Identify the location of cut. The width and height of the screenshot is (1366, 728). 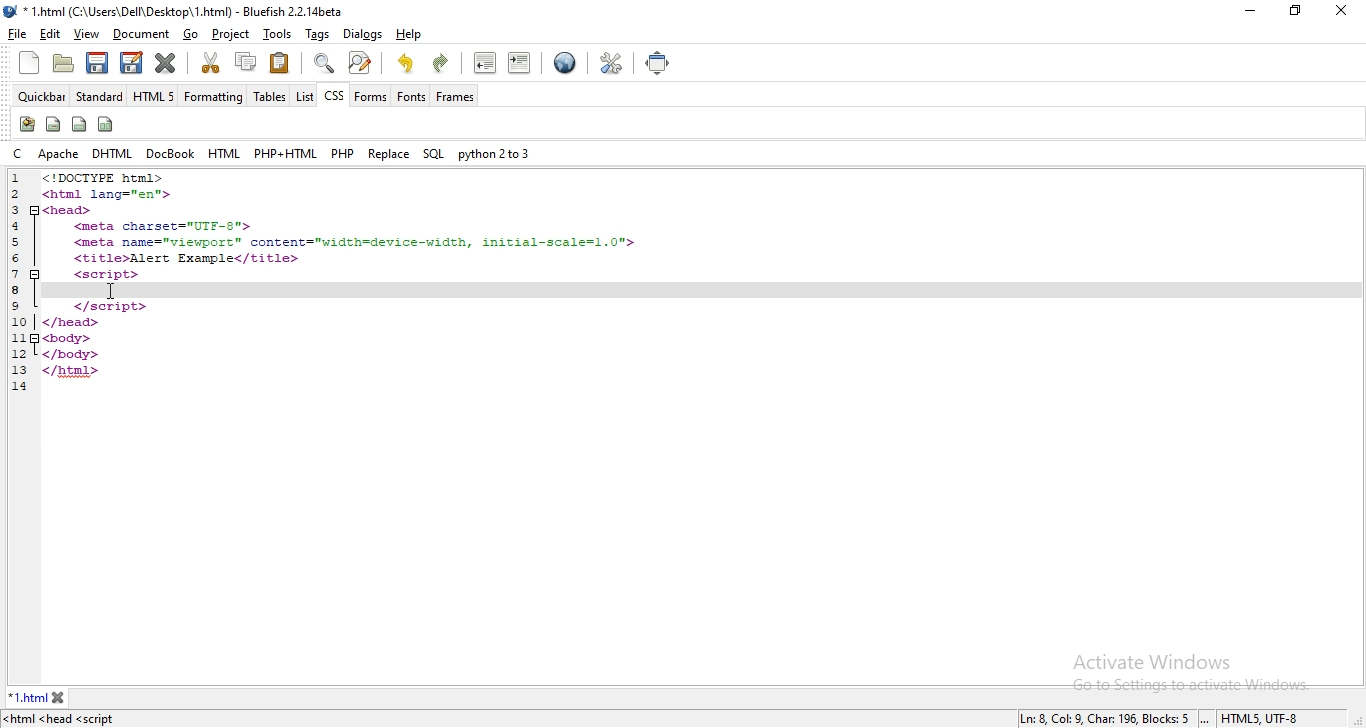
(211, 63).